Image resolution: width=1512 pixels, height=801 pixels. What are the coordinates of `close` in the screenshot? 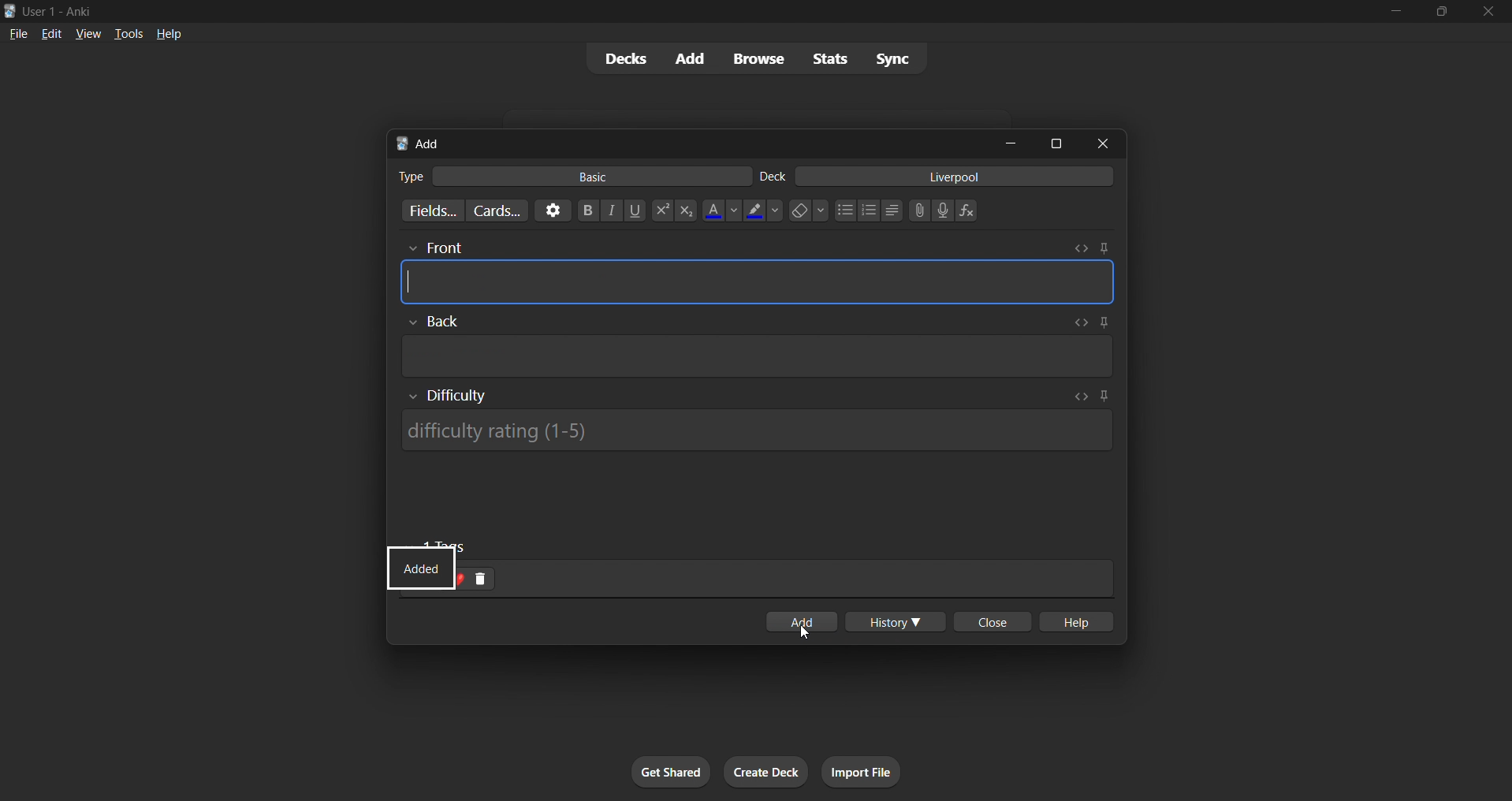 It's located at (1489, 12).